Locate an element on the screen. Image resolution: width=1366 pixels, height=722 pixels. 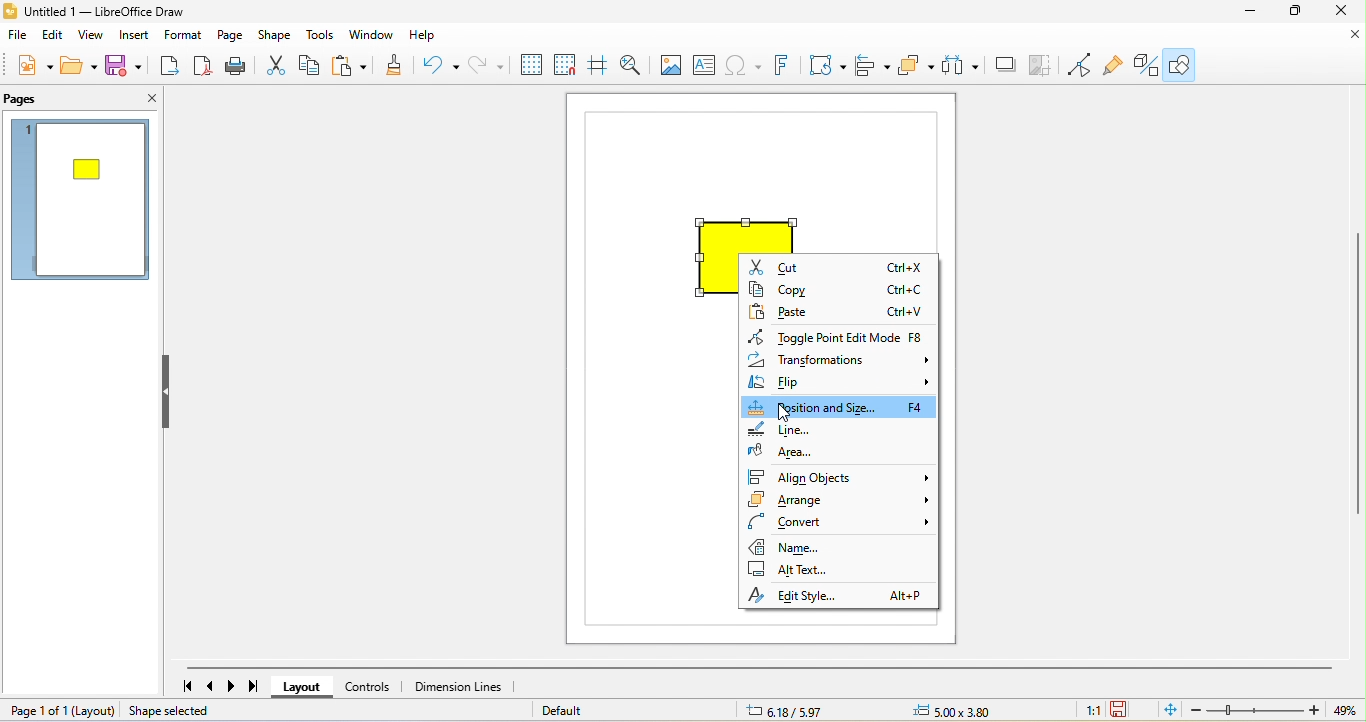
close is located at coordinates (1344, 14).